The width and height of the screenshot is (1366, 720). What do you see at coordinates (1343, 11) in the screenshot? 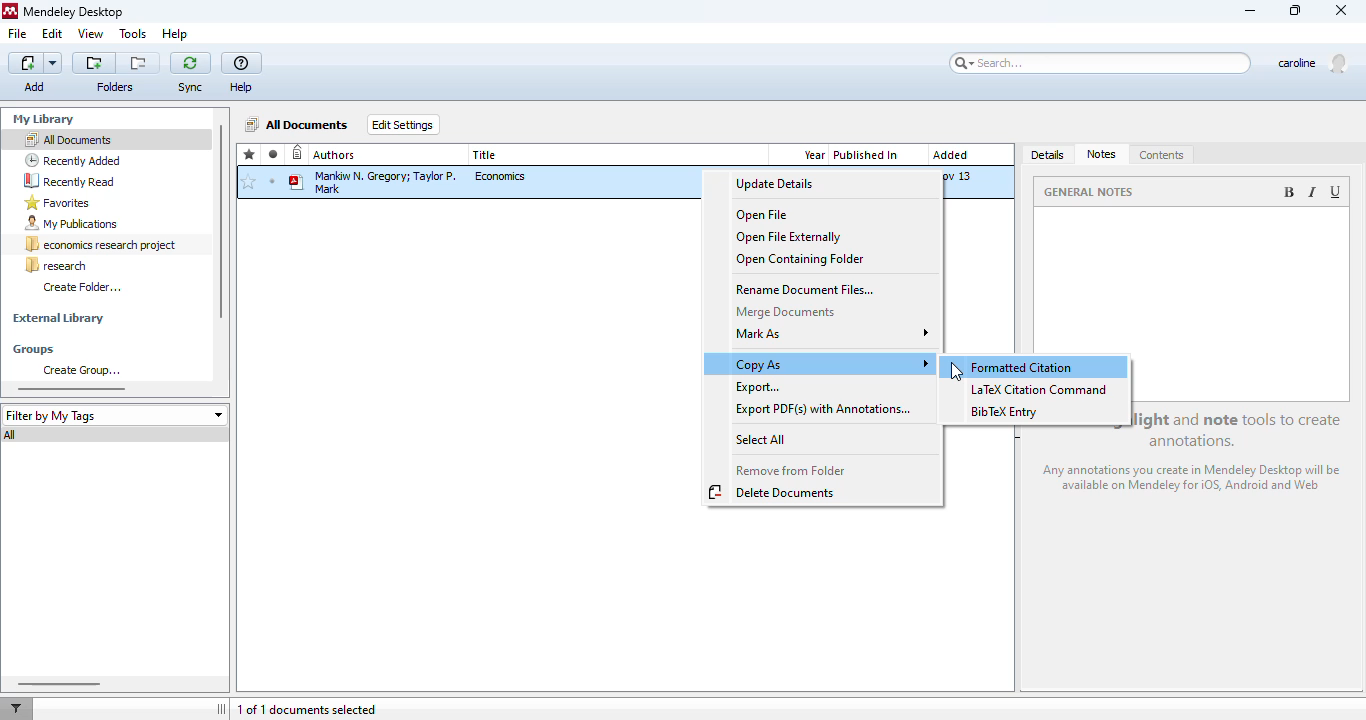
I see `close` at bounding box center [1343, 11].